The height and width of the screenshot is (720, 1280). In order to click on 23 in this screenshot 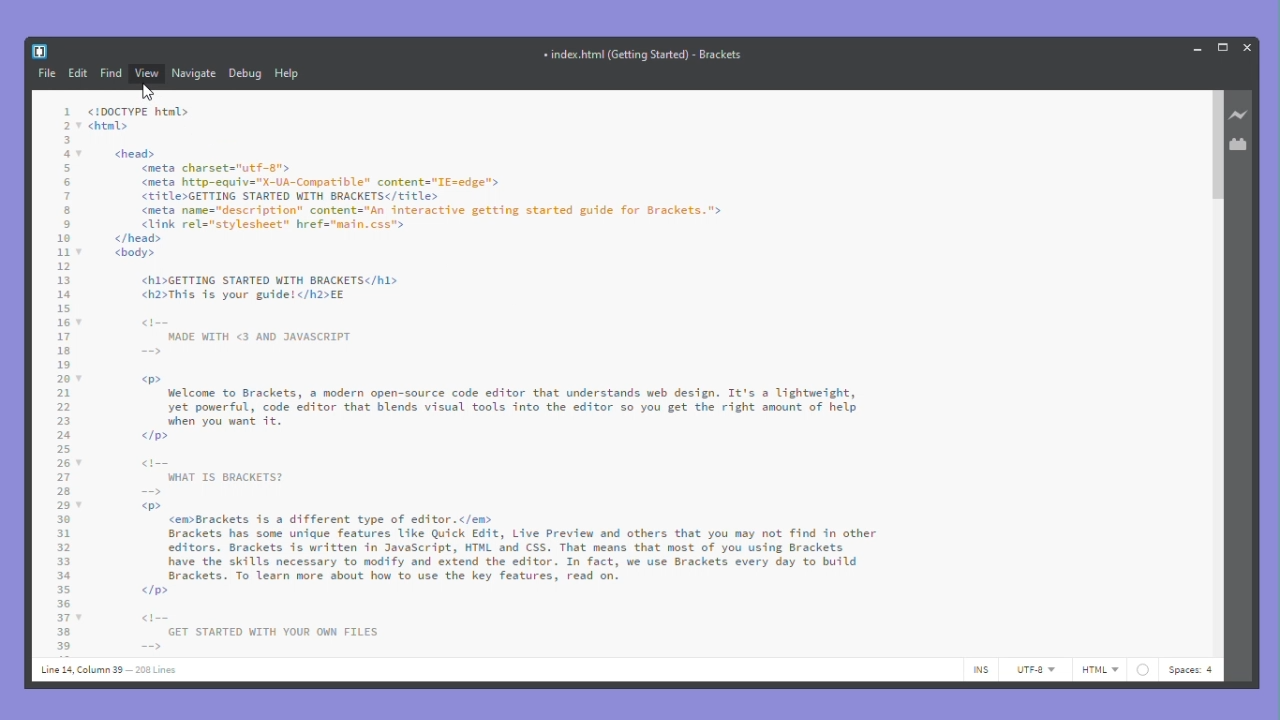, I will do `click(63, 421)`.